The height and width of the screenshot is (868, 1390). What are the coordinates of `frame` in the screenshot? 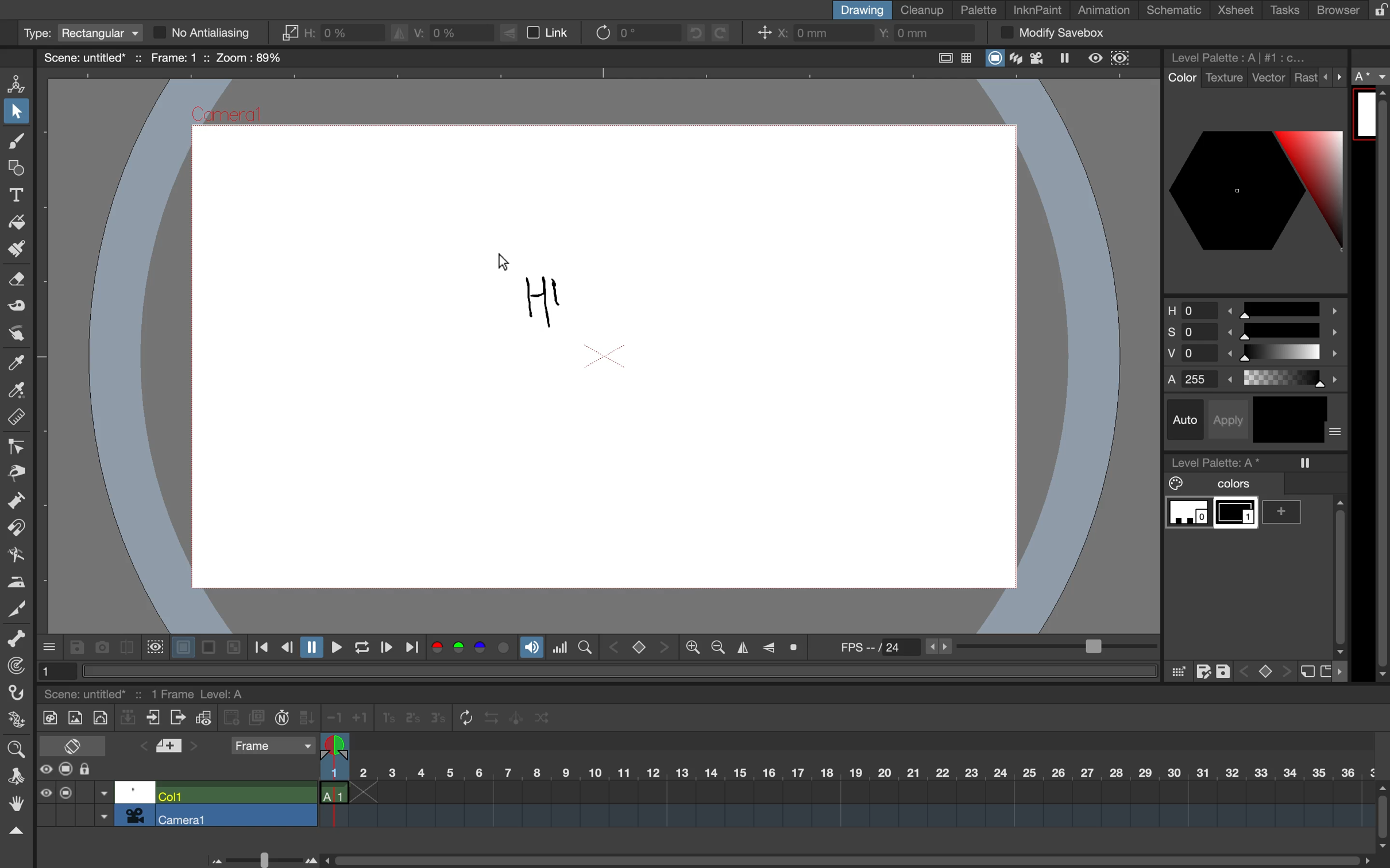 It's located at (272, 747).